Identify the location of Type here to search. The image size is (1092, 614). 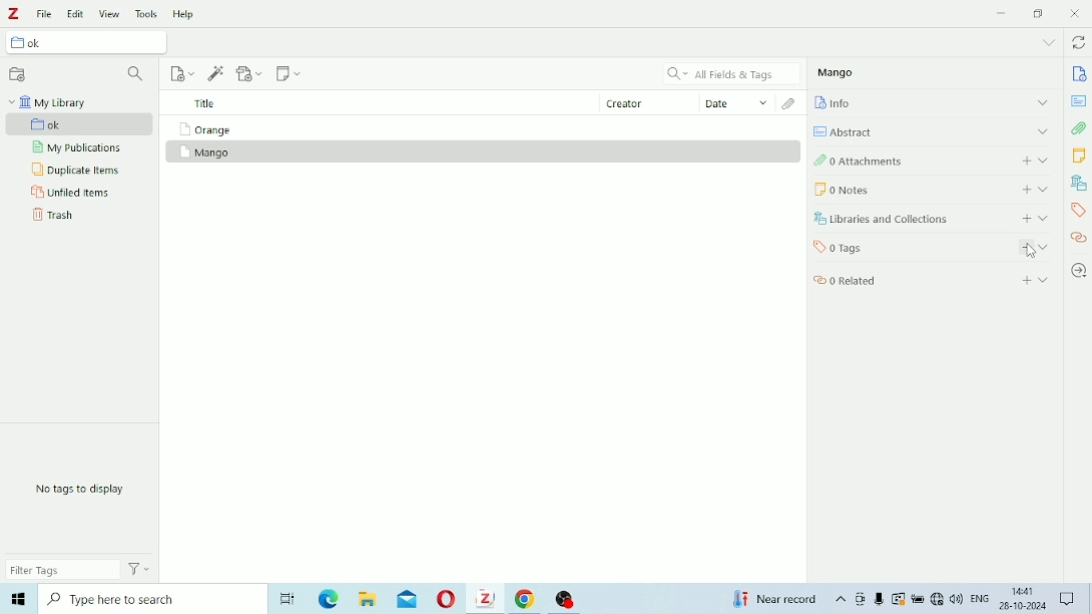
(152, 599).